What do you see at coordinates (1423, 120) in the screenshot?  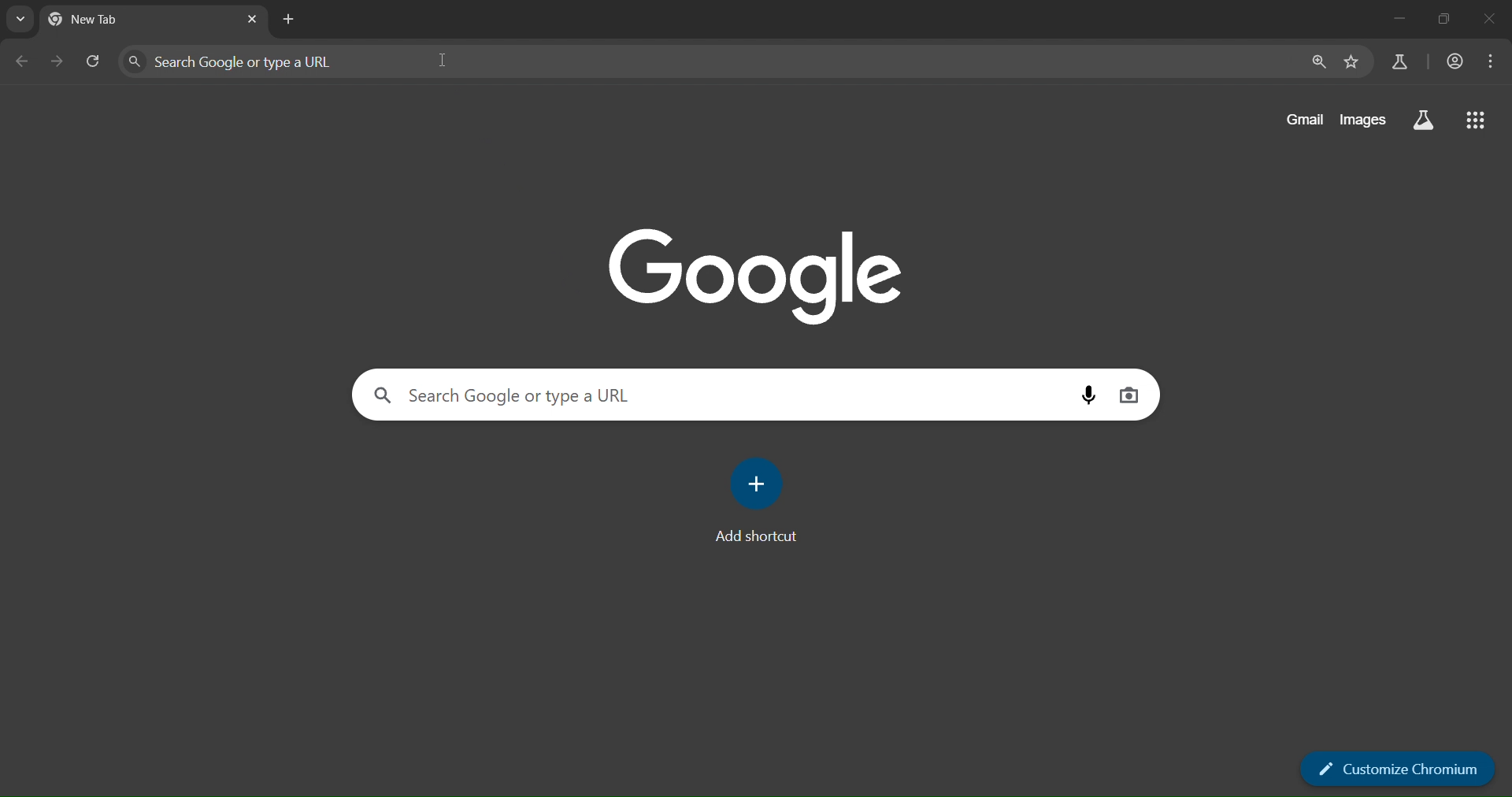 I see `search labs` at bounding box center [1423, 120].